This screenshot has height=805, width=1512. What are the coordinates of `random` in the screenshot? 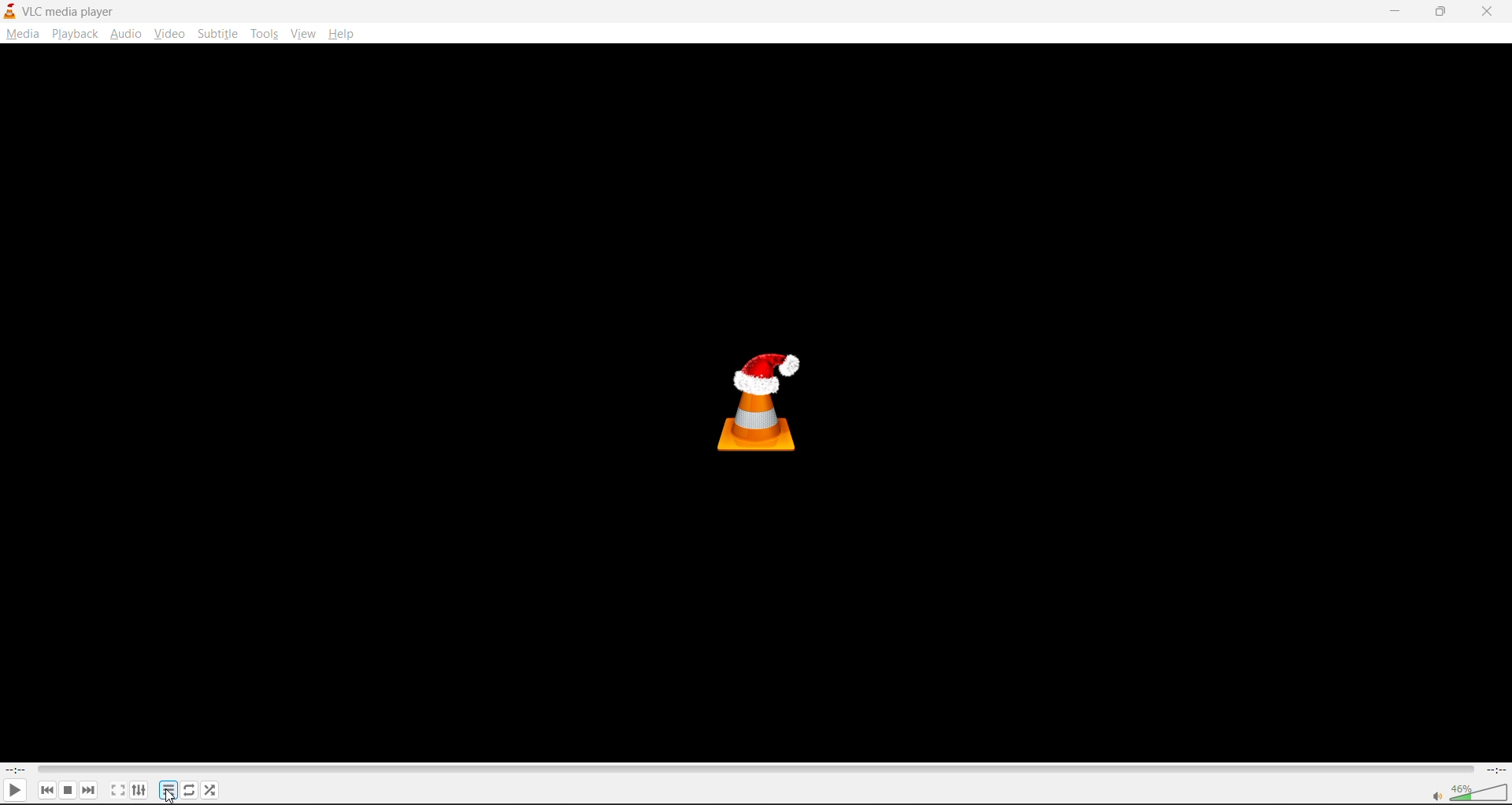 It's located at (211, 789).